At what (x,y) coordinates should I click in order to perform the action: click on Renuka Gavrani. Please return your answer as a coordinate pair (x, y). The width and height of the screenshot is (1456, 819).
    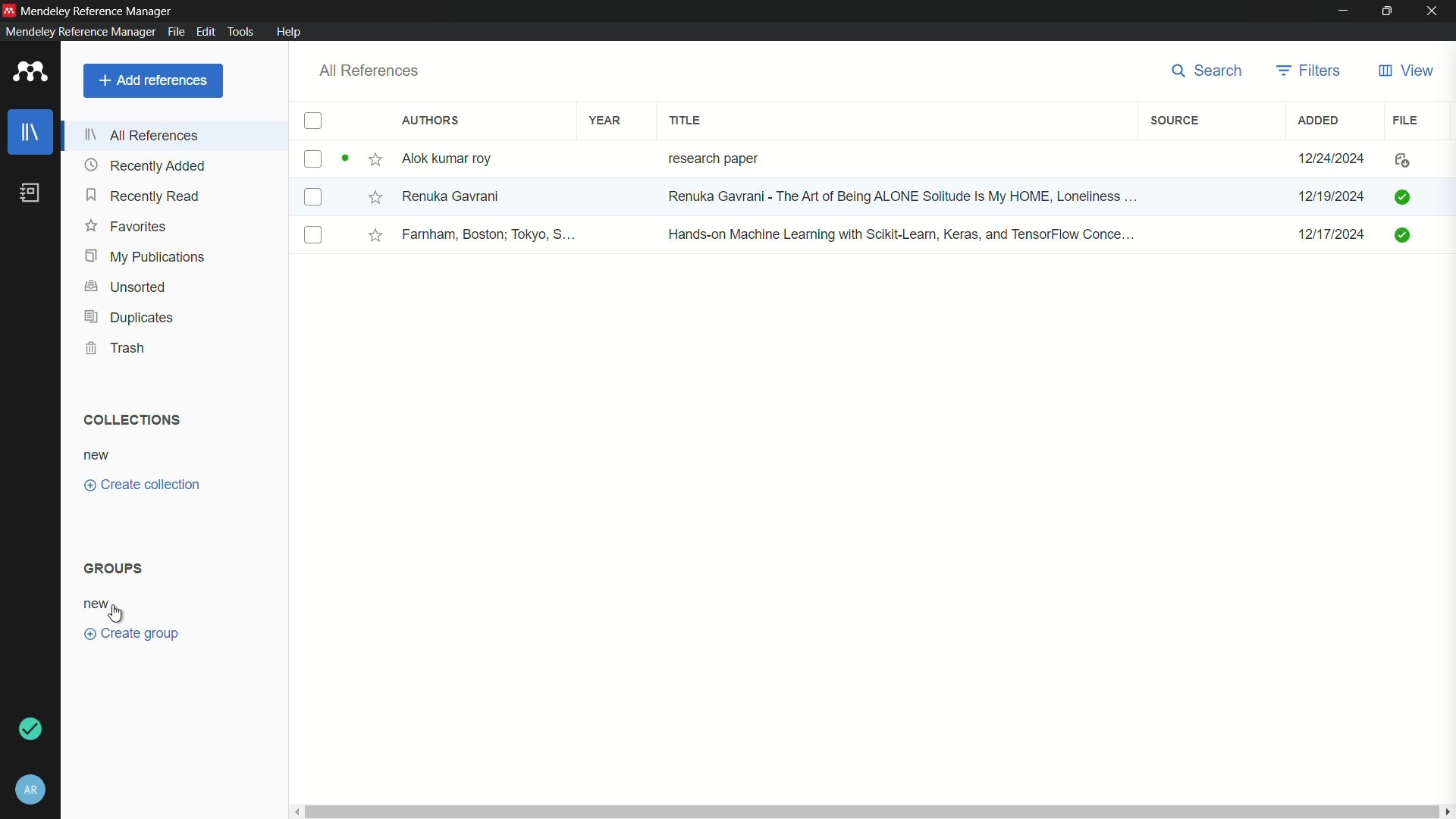
    Looking at the image, I should click on (451, 196).